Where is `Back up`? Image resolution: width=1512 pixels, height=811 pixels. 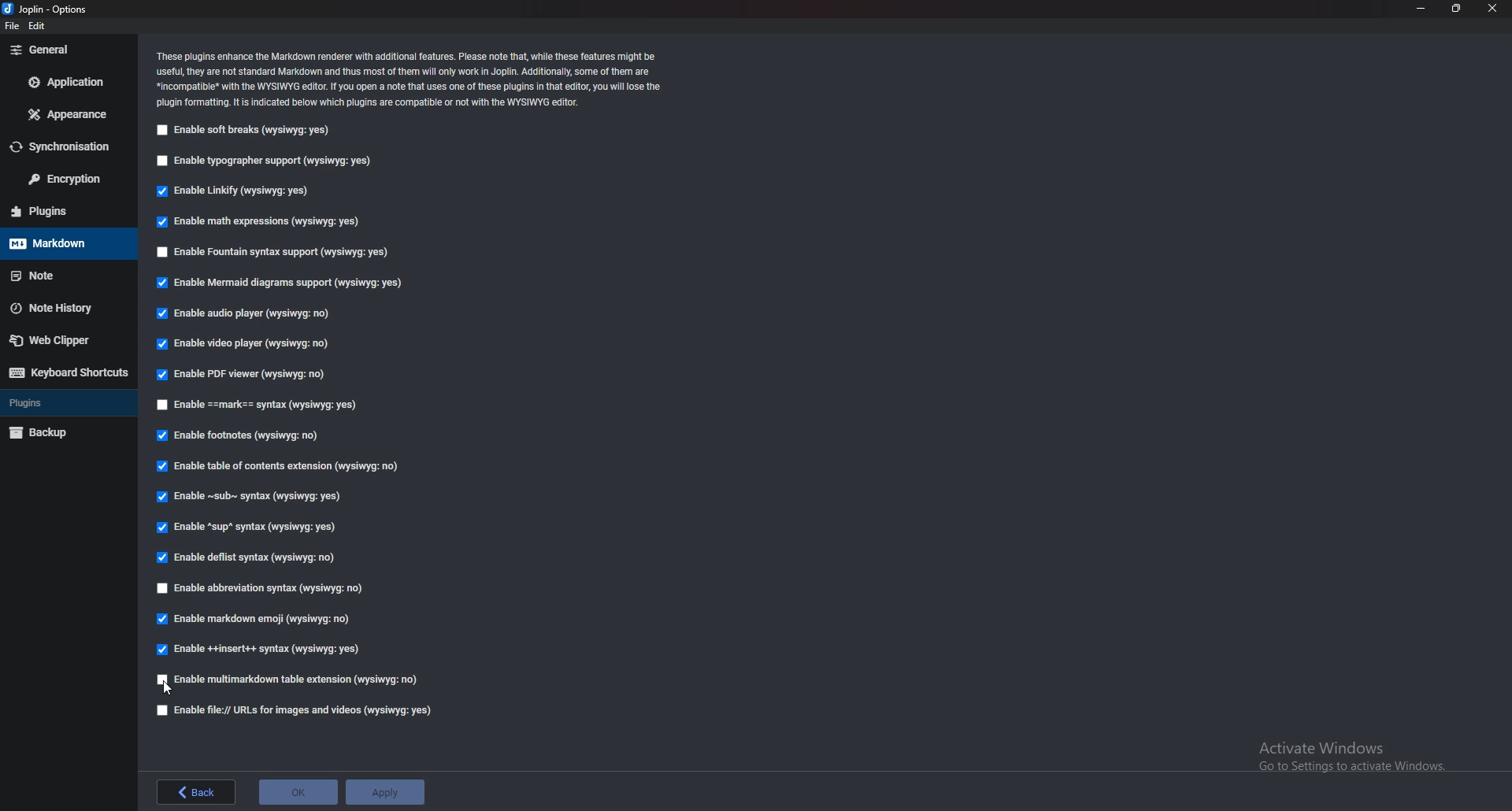
Back up is located at coordinates (64, 435).